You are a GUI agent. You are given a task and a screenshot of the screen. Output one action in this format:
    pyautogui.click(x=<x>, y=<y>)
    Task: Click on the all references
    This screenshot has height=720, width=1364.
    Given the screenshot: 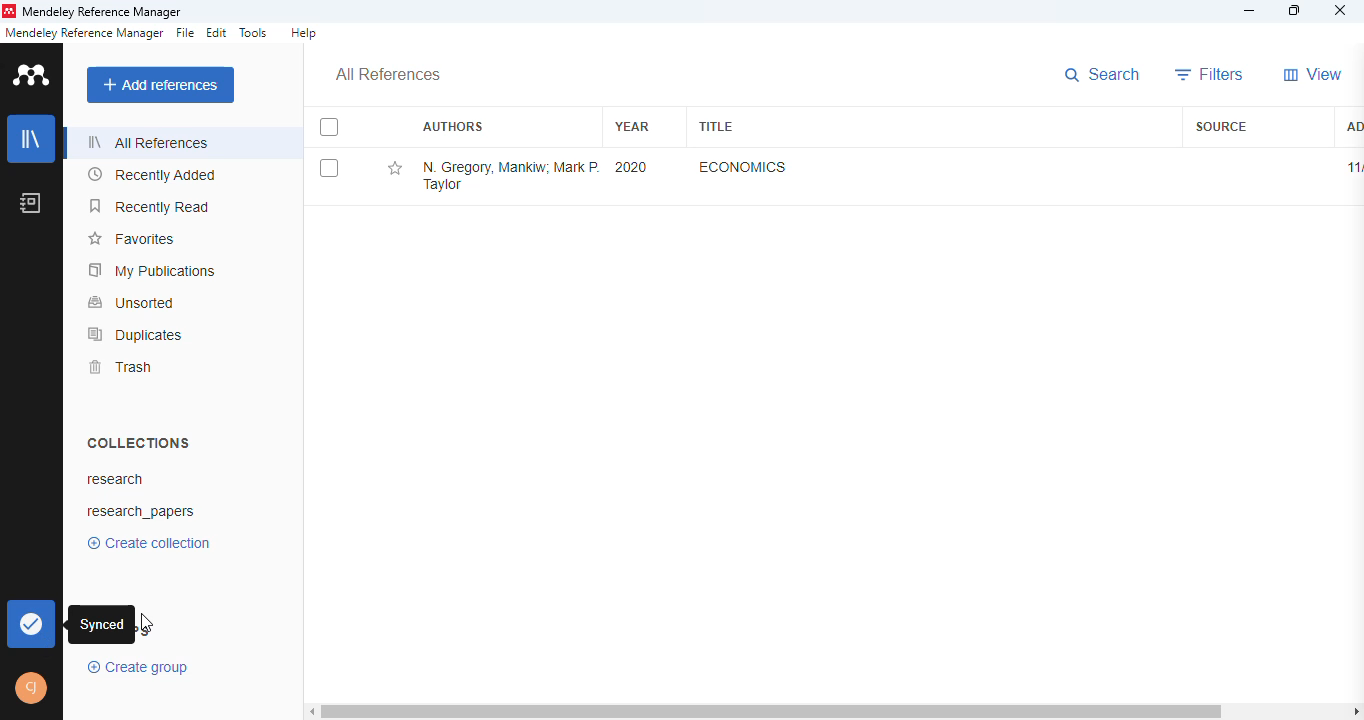 What is the action you would take?
    pyautogui.click(x=148, y=142)
    